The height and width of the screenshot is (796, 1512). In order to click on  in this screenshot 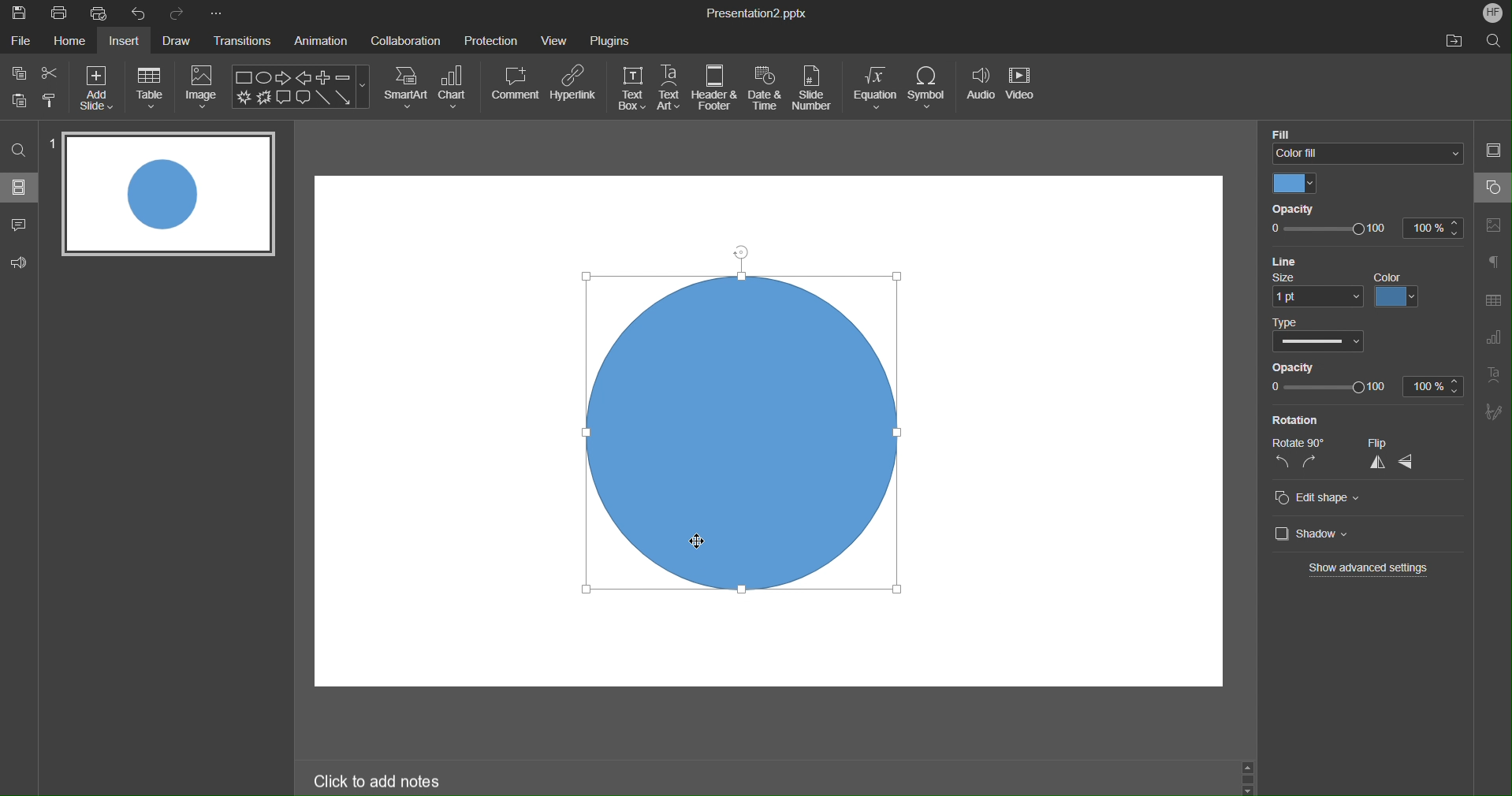, I will do `click(20, 99)`.